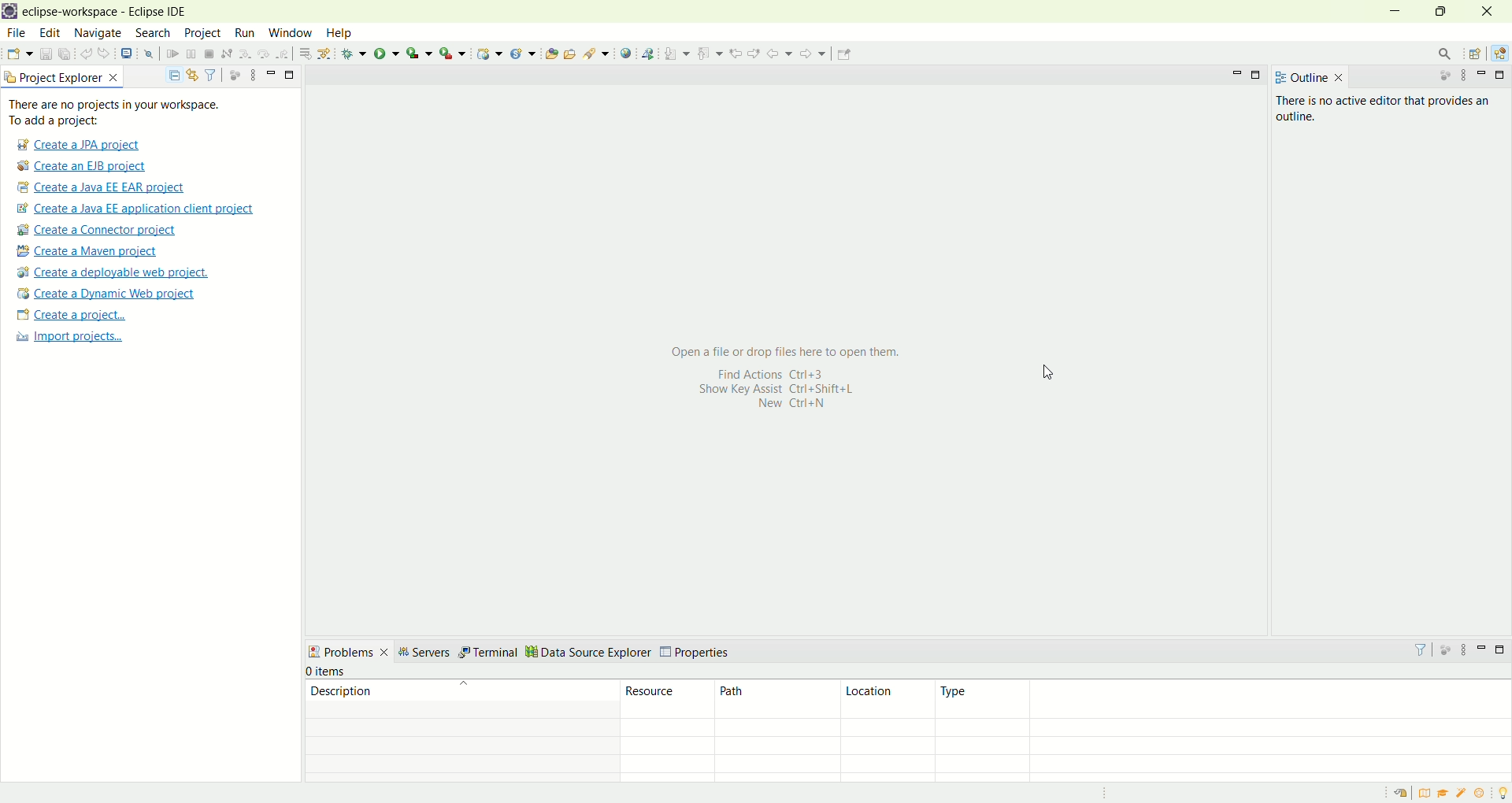 This screenshot has height=803, width=1512. I want to click on next annotation, so click(677, 54).